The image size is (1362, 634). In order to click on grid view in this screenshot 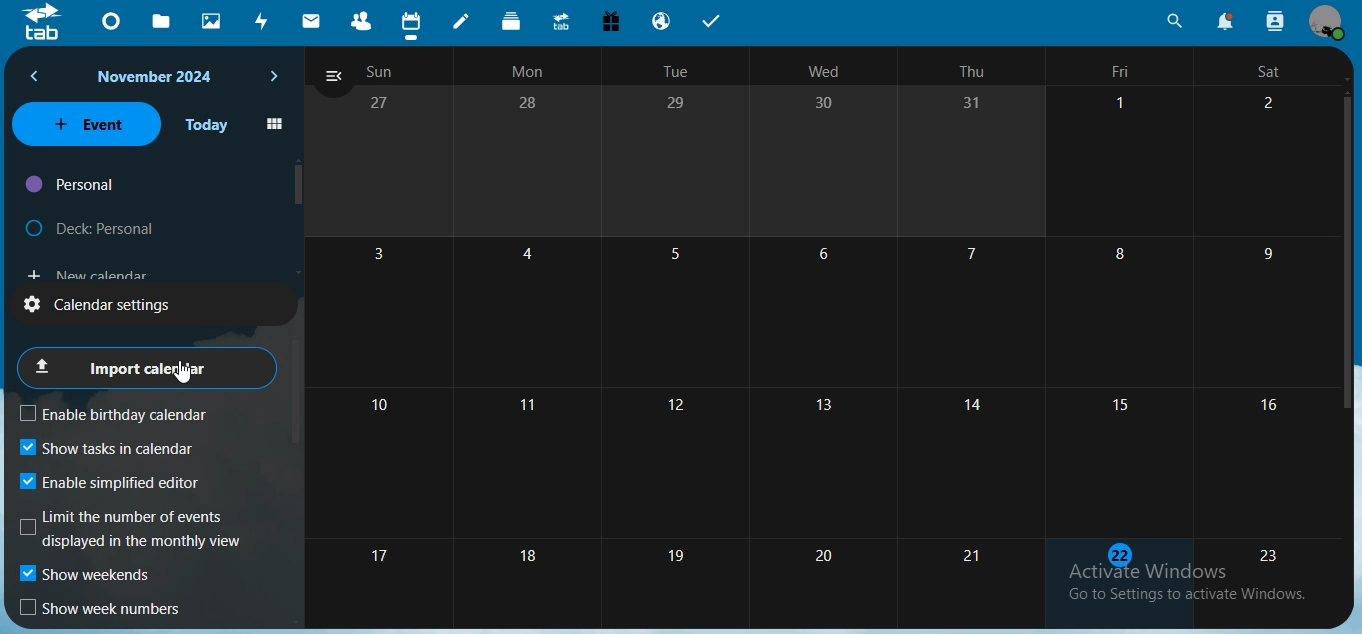, I will do `click(274, 125)`.